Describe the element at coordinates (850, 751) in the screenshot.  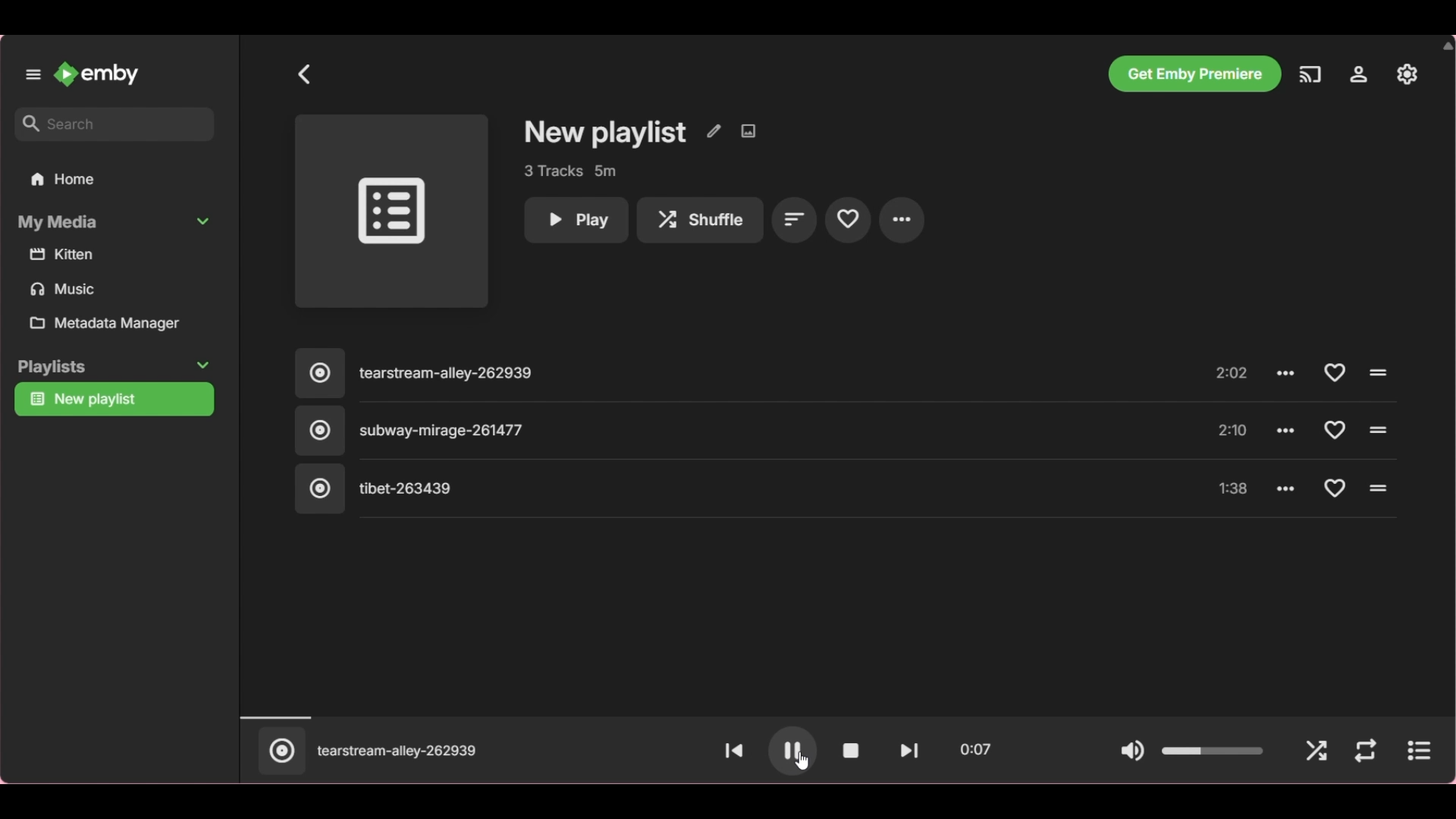
I see `Stop play` at that location.